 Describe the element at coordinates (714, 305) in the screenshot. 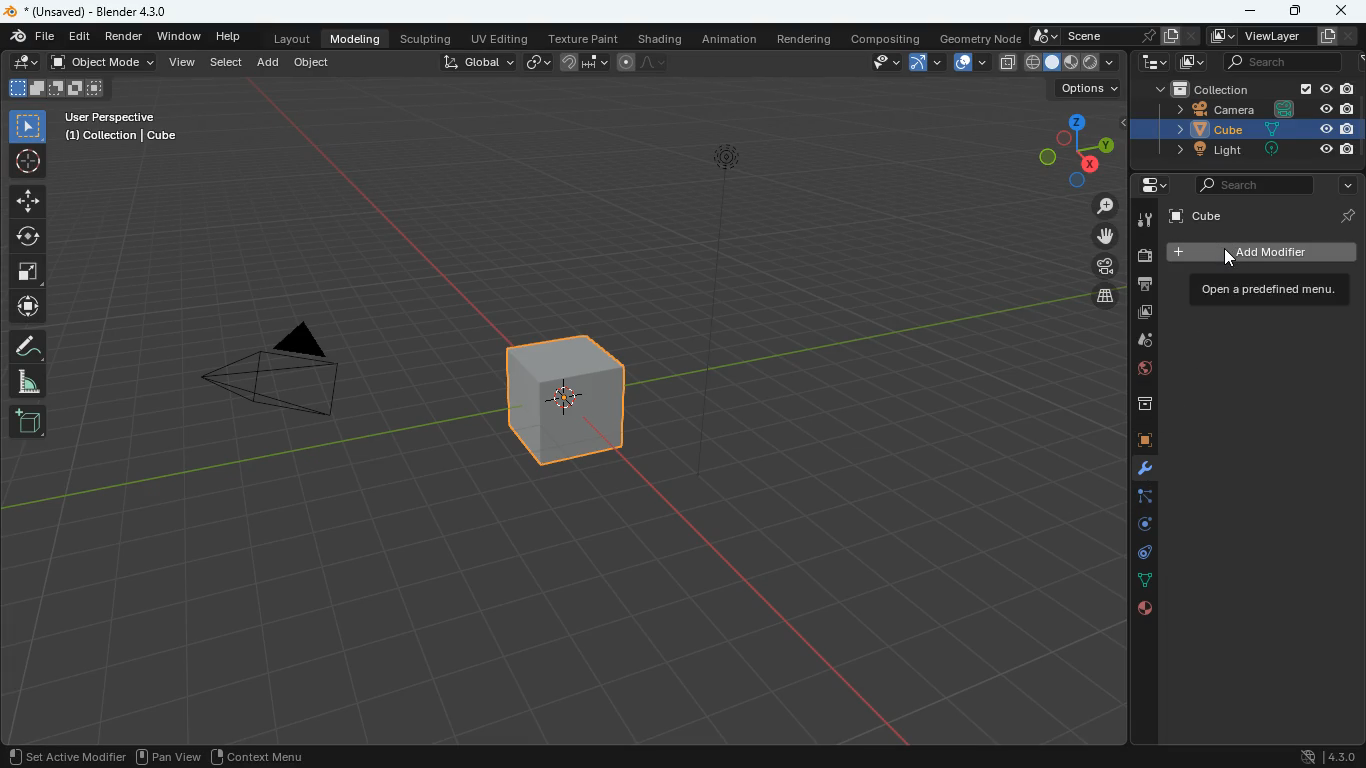

I see `light` at that location.